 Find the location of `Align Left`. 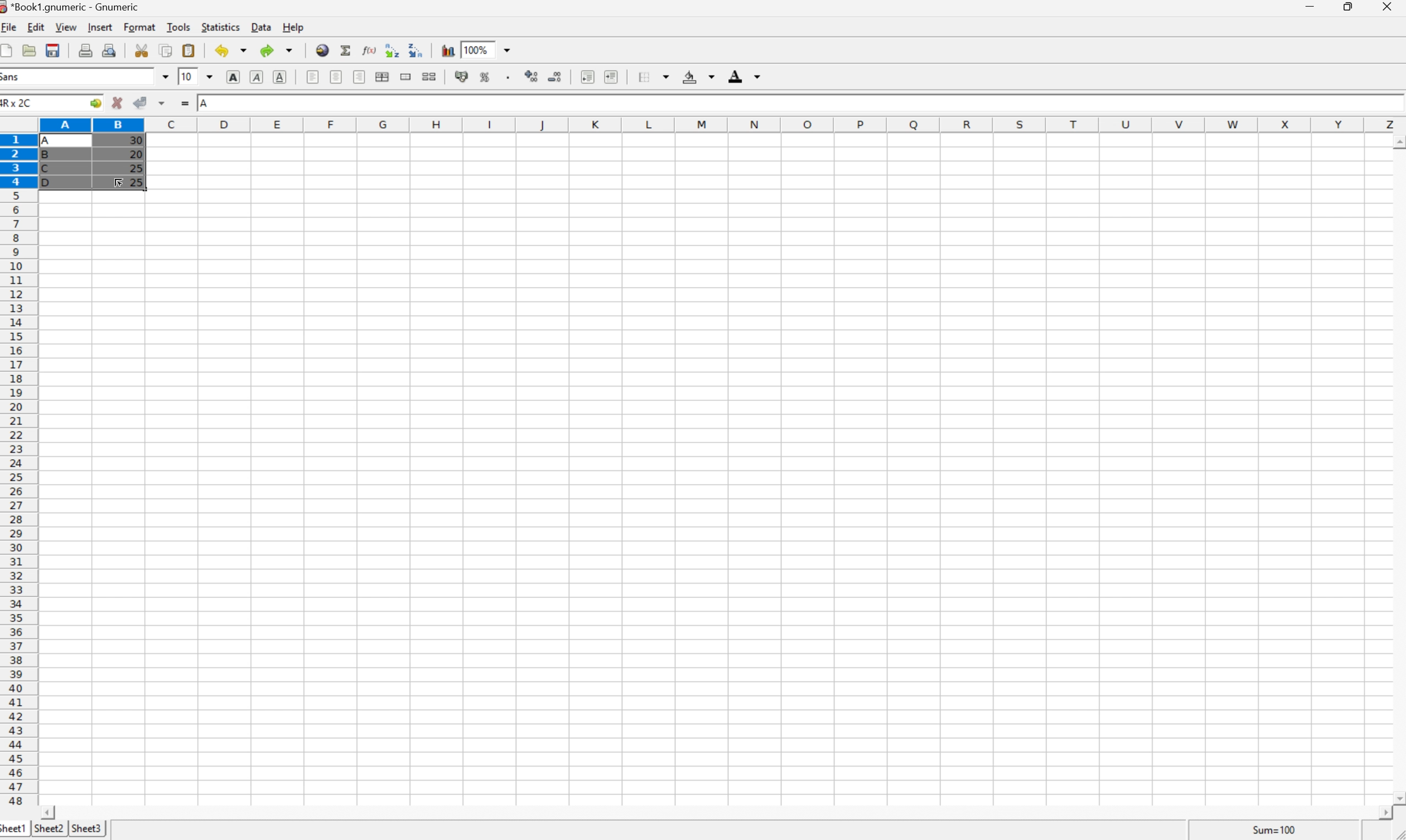

Align Left is located at coordinates (313, 78).